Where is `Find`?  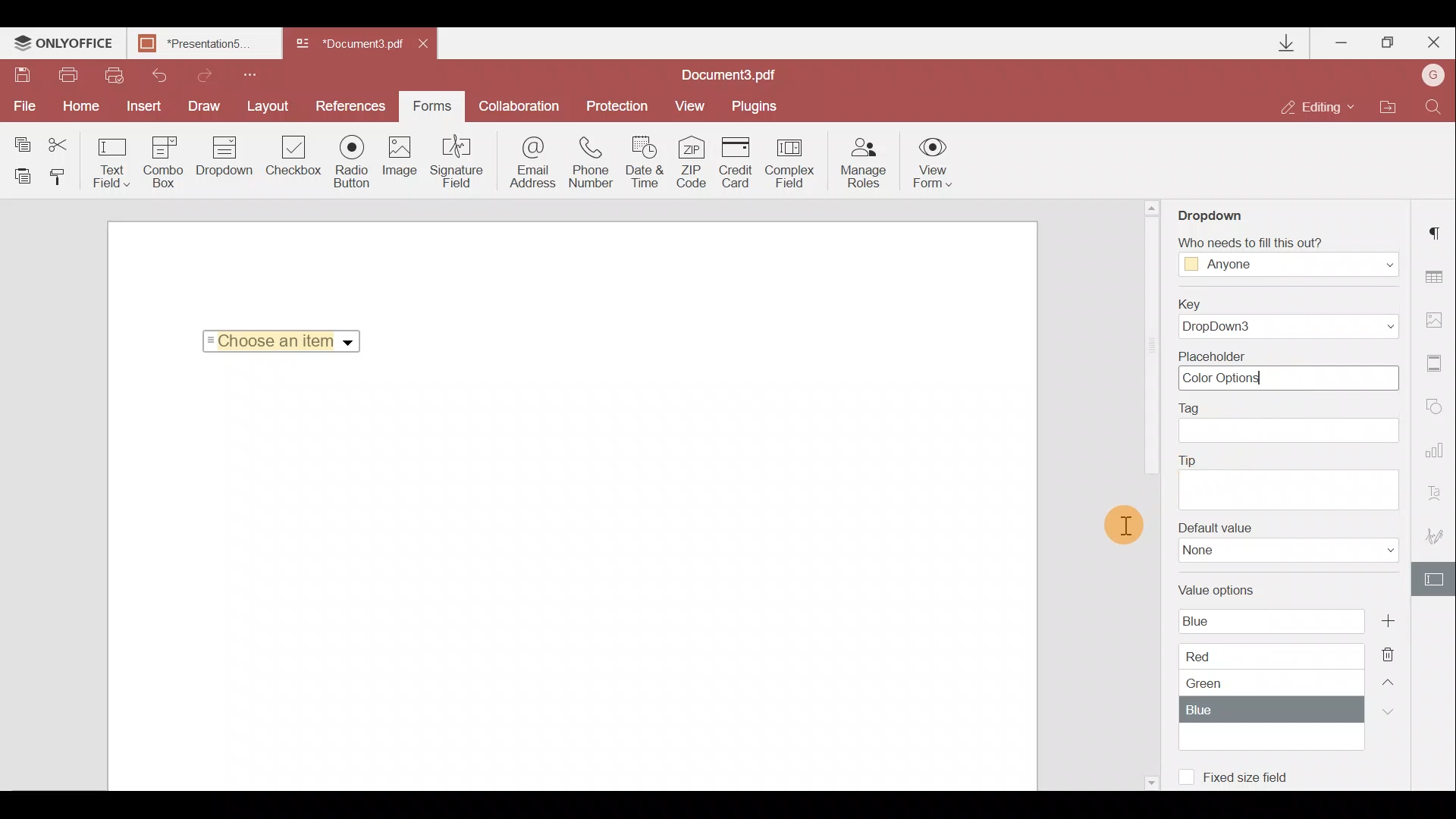 Find is located at coordinates (1436, 106).